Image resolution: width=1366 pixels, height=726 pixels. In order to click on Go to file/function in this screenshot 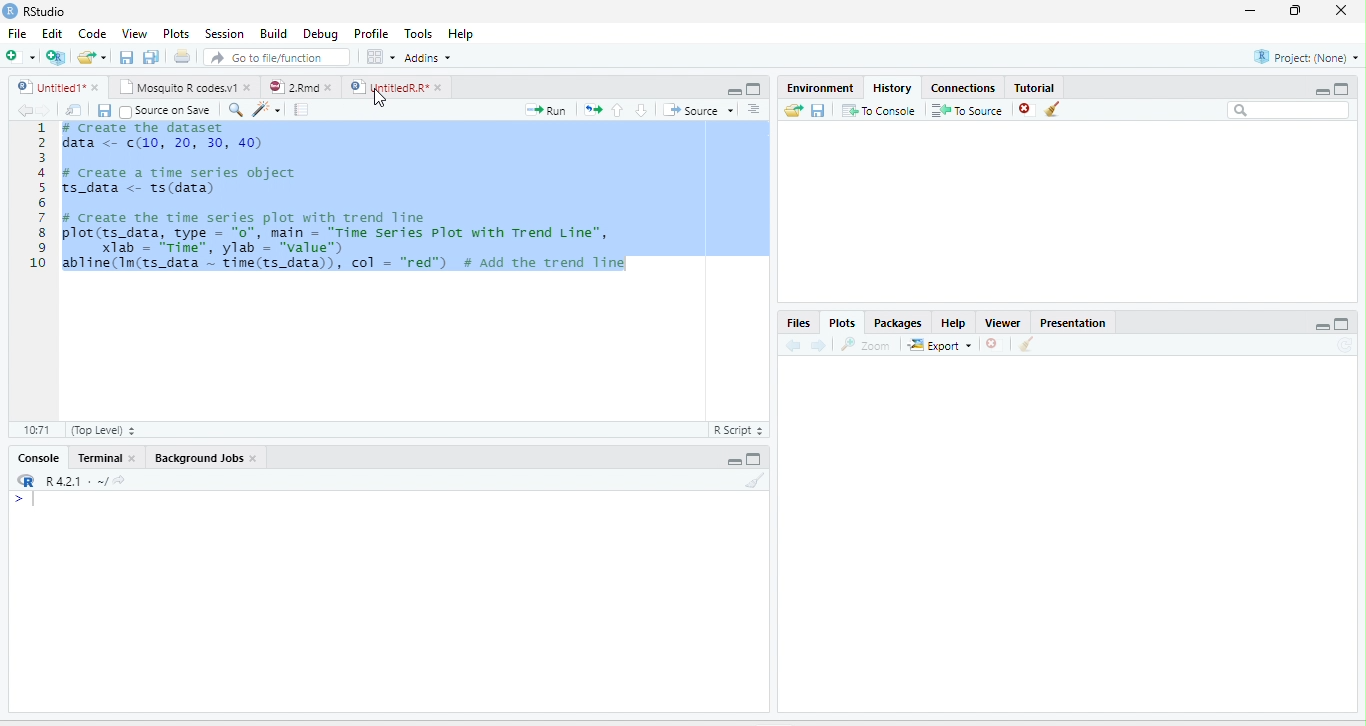, I will do `click(277, 57)`.